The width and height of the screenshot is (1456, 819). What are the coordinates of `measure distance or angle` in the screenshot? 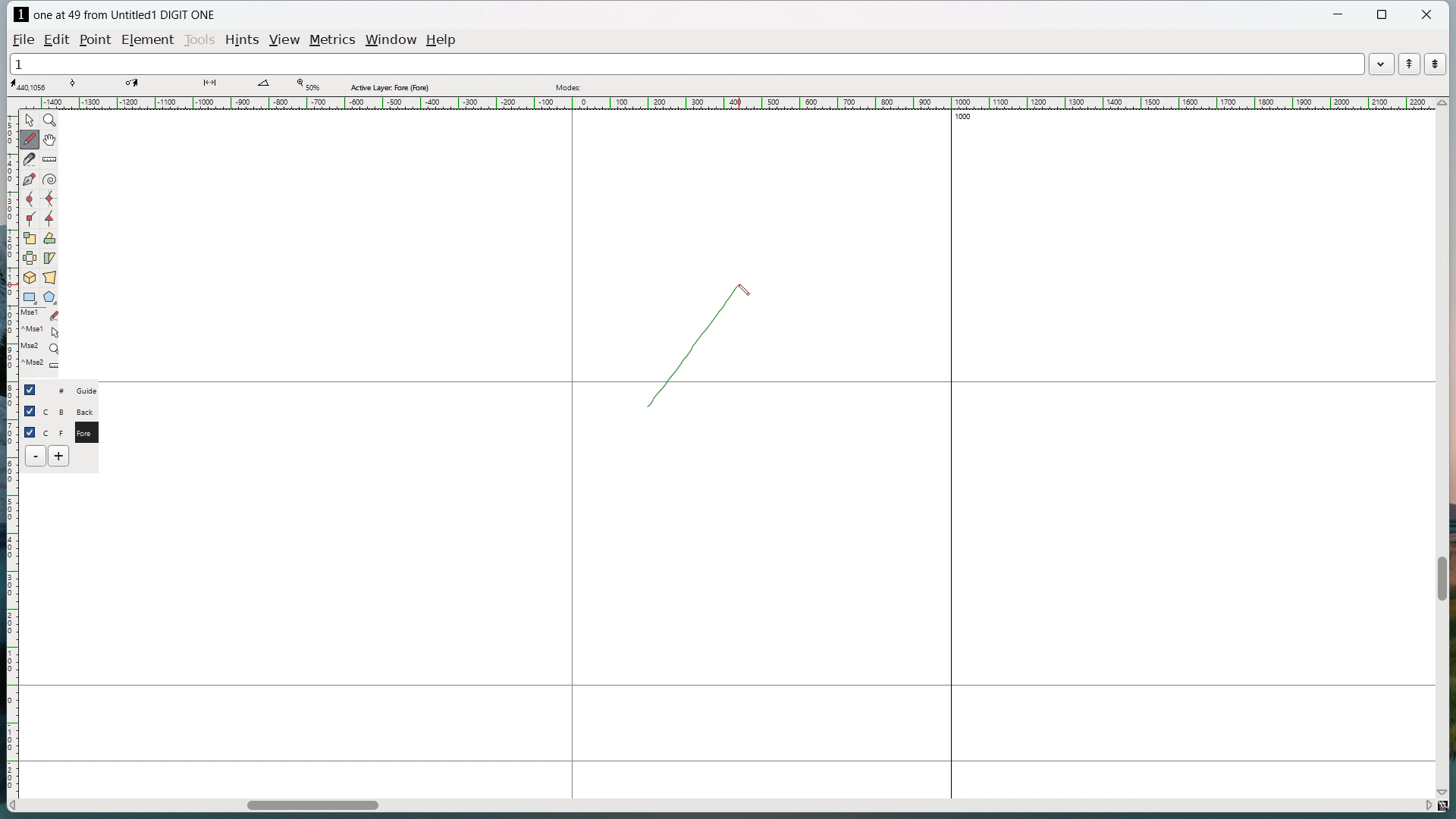 It's located at (51, 158).